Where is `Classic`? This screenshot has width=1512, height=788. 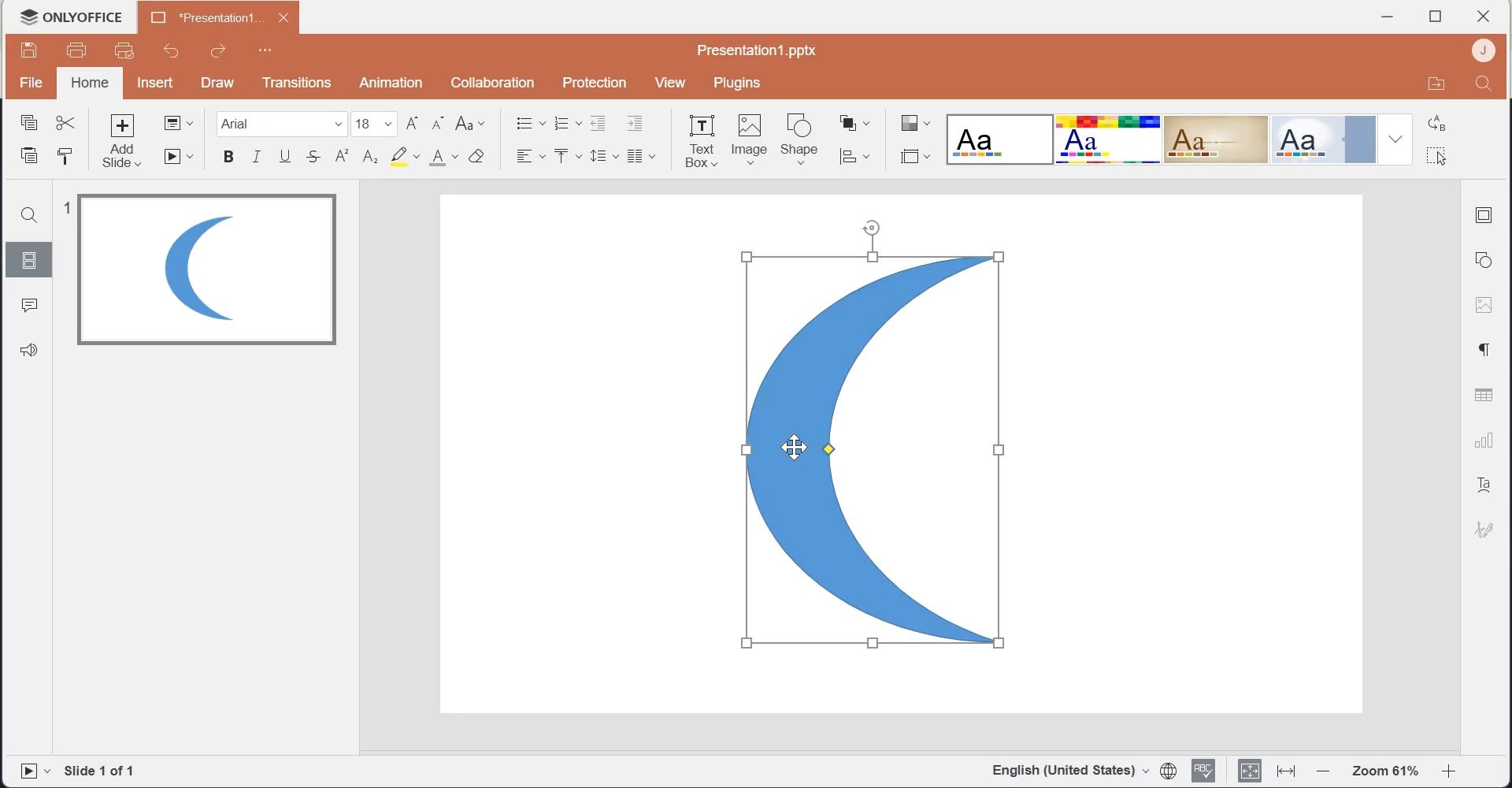 Classic is located at coordinates (1217, 139).